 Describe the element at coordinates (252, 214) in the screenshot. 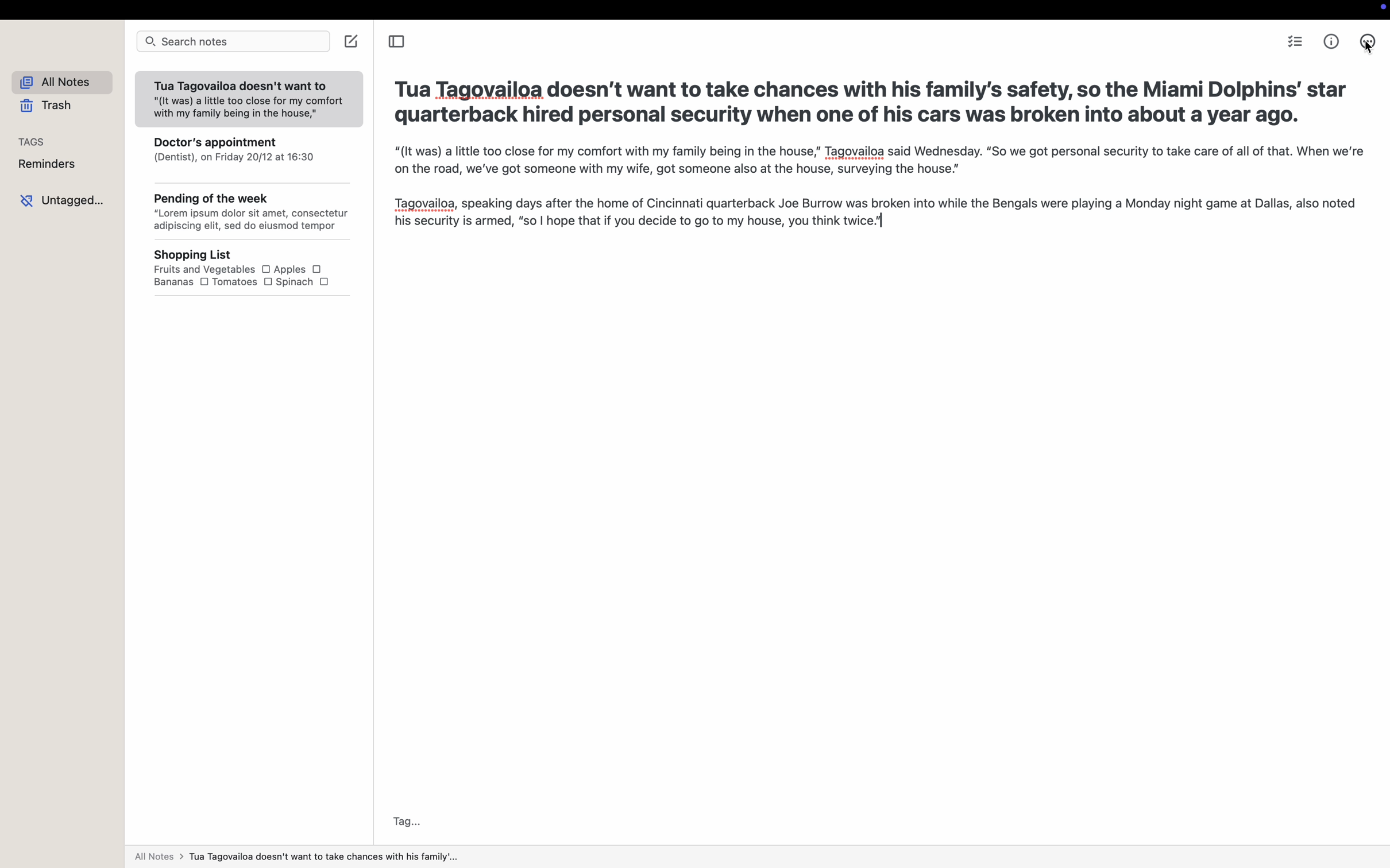

I see `Pending of the week
“Lorem ipsum dolor sit amet, consectetur
adipiscing elit, sed do eiusmod tempor` at that location.